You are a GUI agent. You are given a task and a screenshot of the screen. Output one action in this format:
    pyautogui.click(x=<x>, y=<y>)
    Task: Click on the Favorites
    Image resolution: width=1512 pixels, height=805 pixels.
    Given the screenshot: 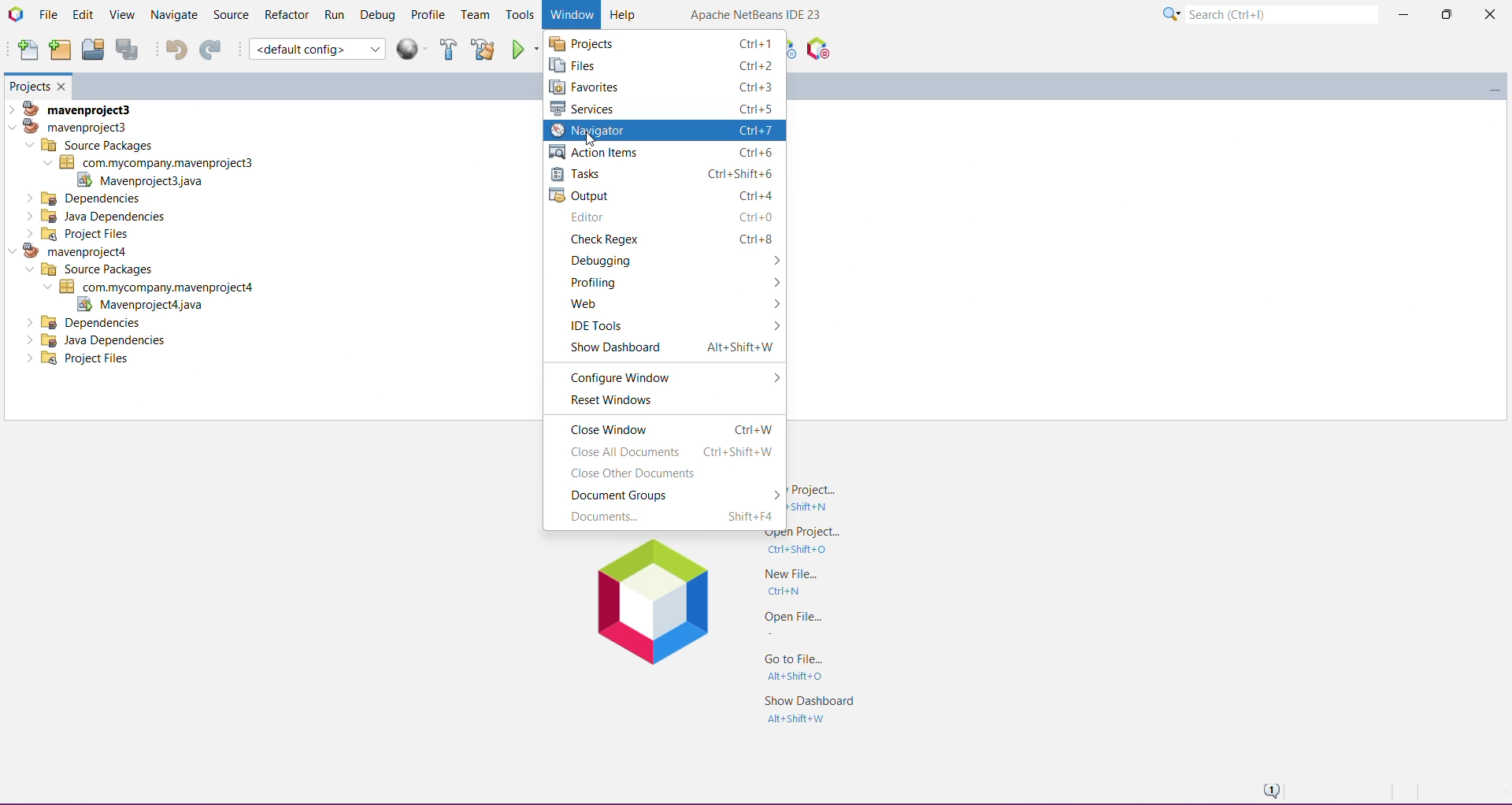 What is the action you would take?
    pyautogui.click(x=662, y=87)
    